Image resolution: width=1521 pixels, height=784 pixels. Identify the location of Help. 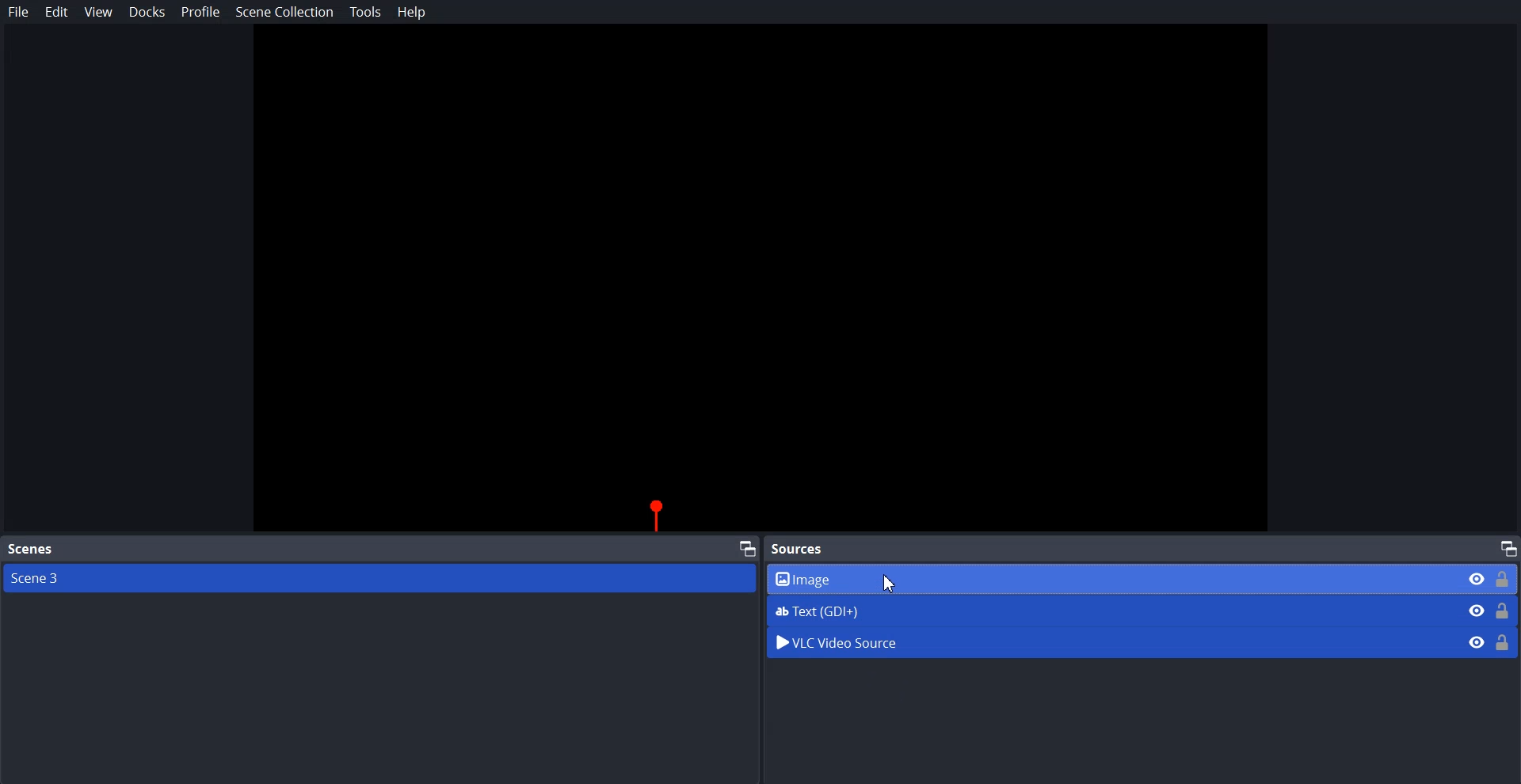
(412, 12).